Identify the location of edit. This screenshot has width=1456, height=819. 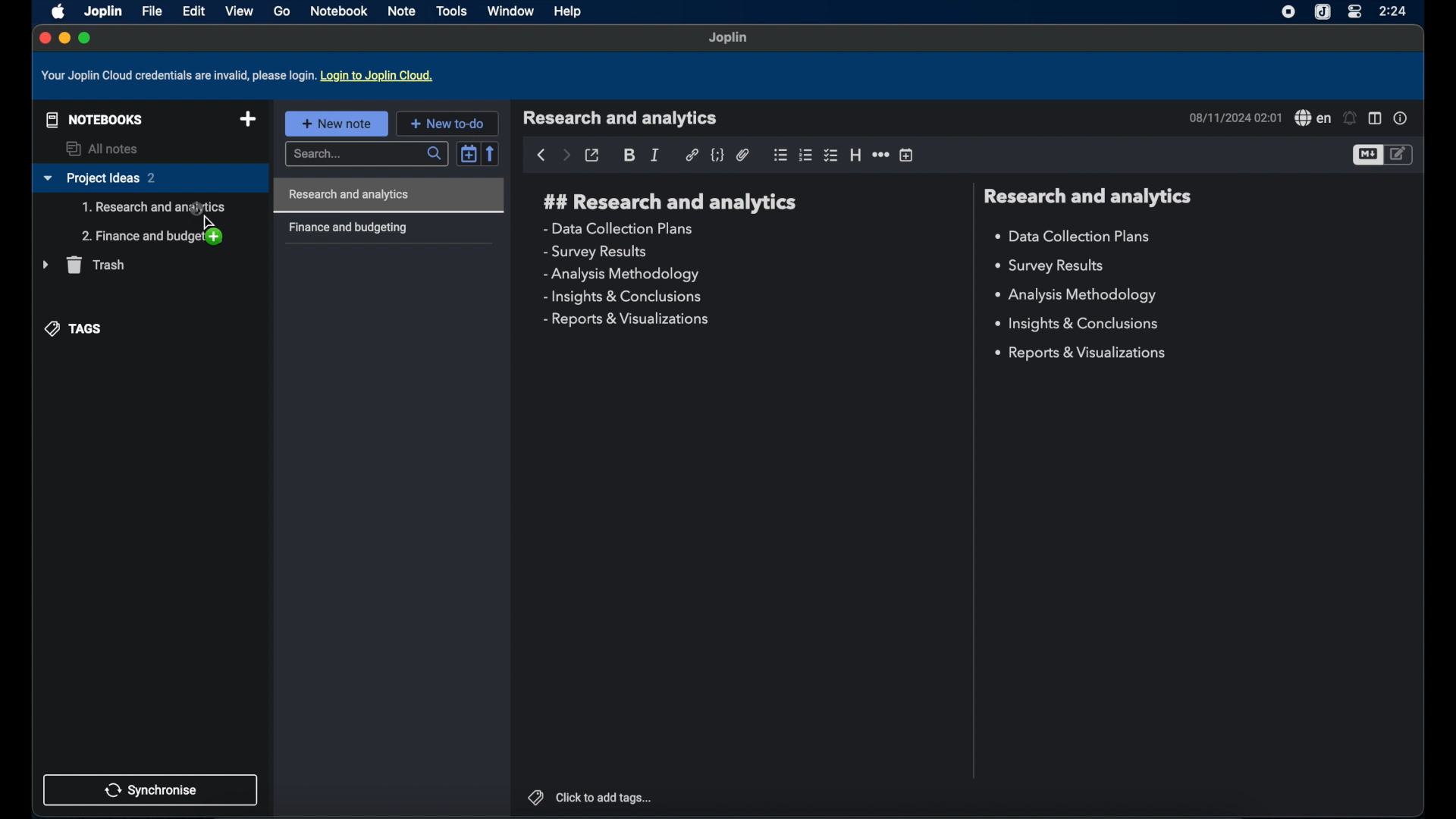
(193, 11).